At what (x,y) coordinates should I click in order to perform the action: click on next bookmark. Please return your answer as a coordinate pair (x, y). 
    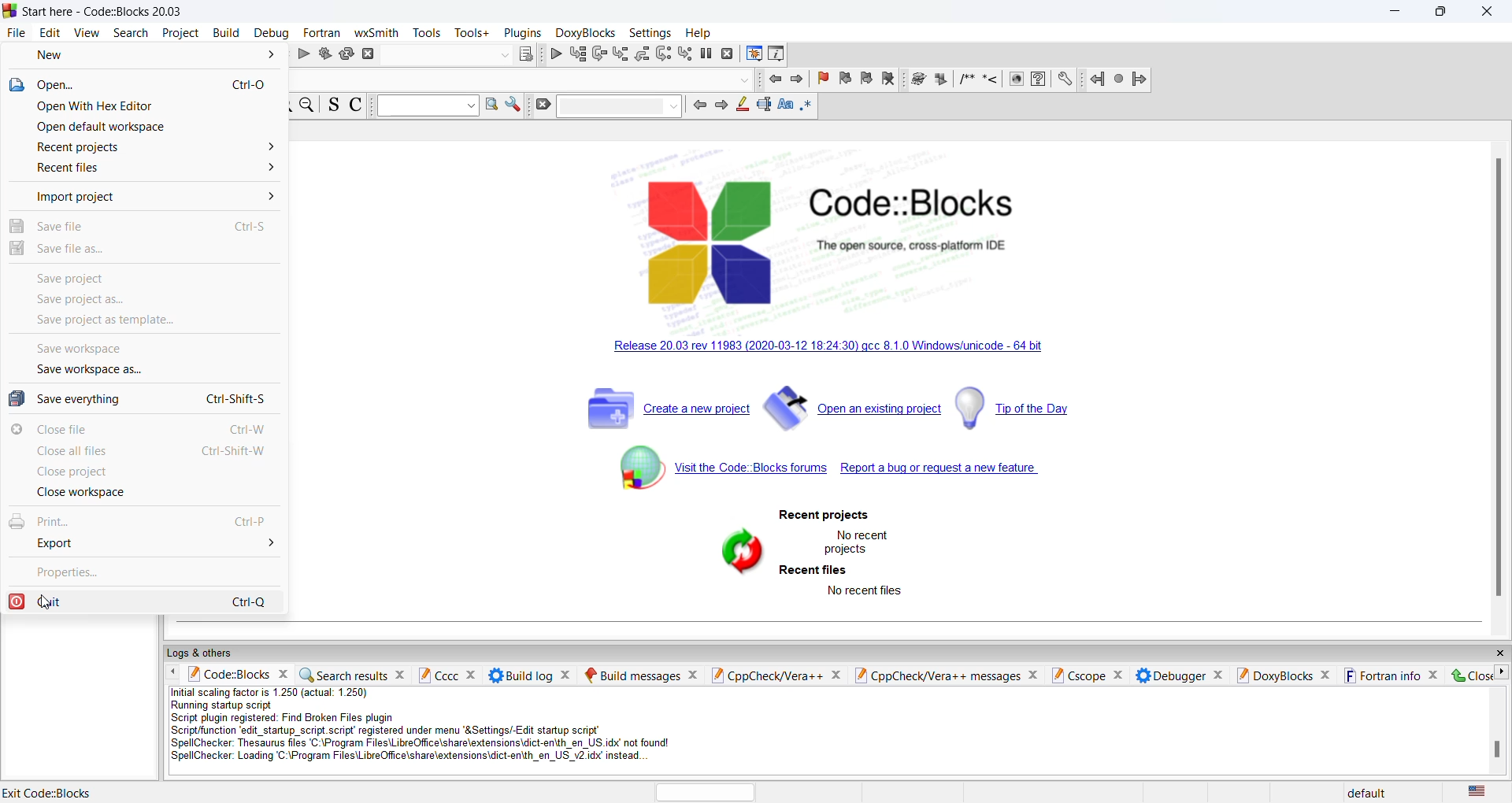
    Looking at the image, I should click on (870, 80).